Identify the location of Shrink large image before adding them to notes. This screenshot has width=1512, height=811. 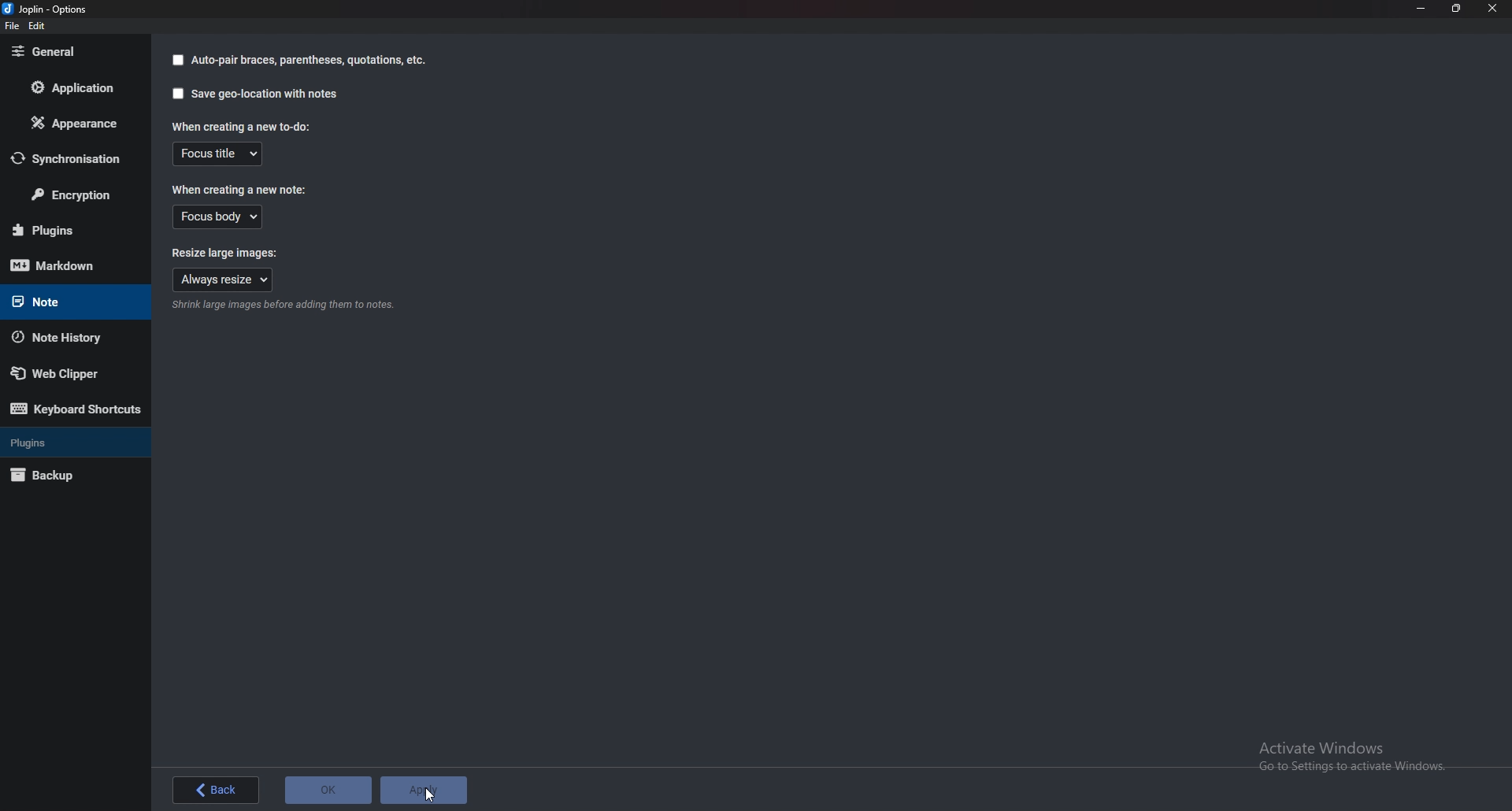
(283, 306).